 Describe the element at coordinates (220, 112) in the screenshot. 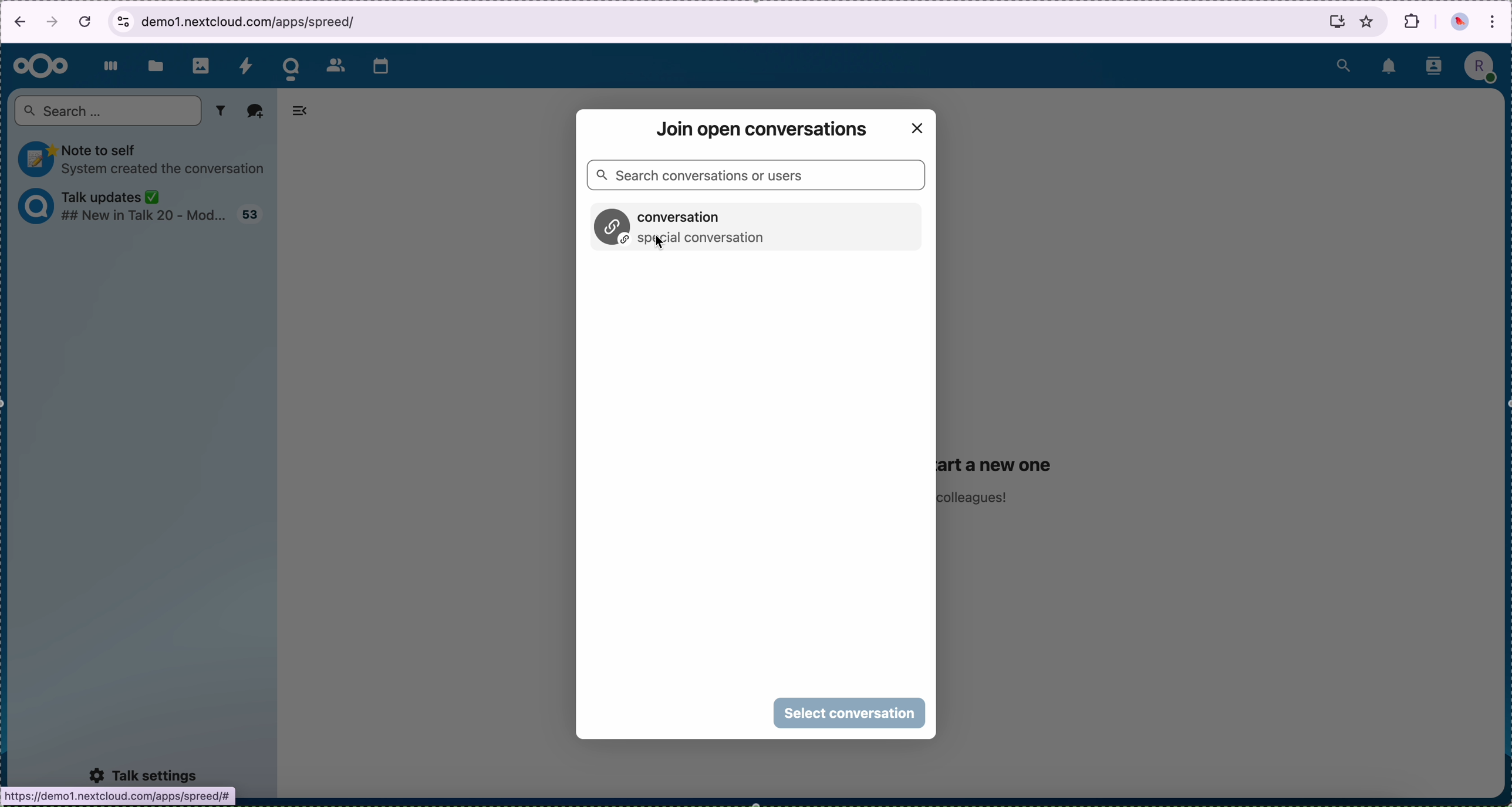

I see `filter` at that location.